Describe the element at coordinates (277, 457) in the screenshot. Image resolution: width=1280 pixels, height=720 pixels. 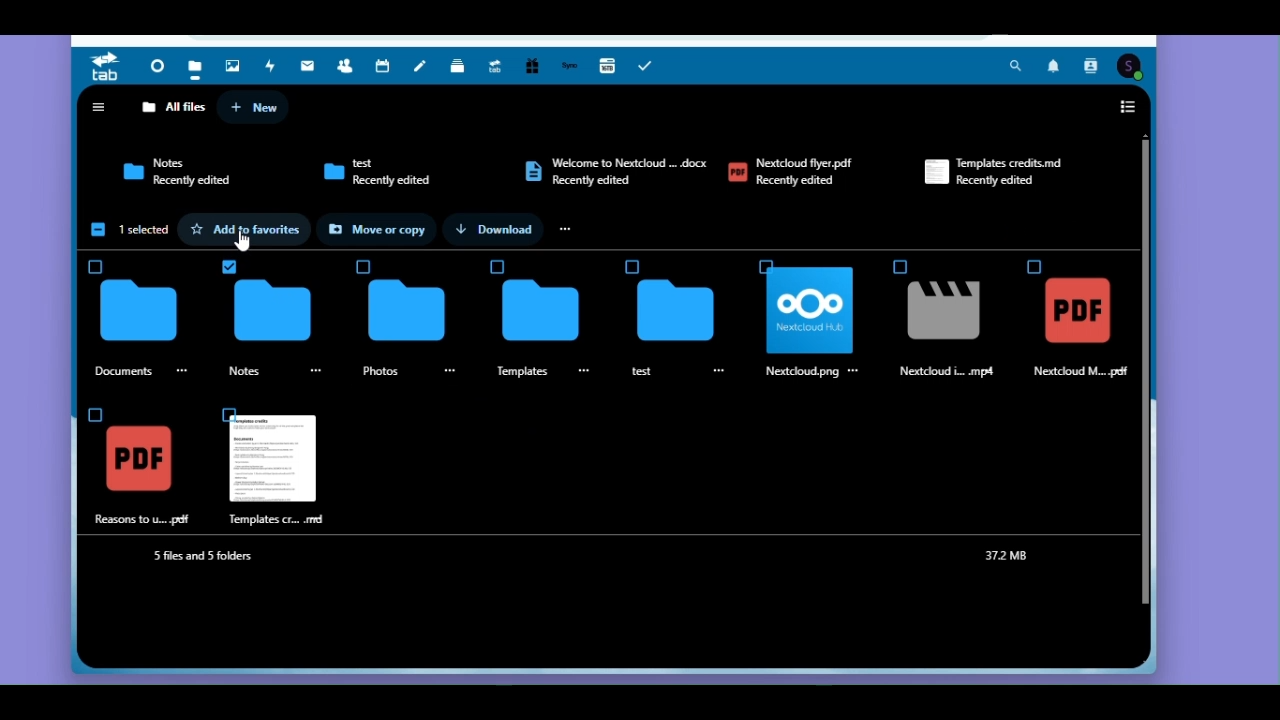
I see `Icon` at that location.